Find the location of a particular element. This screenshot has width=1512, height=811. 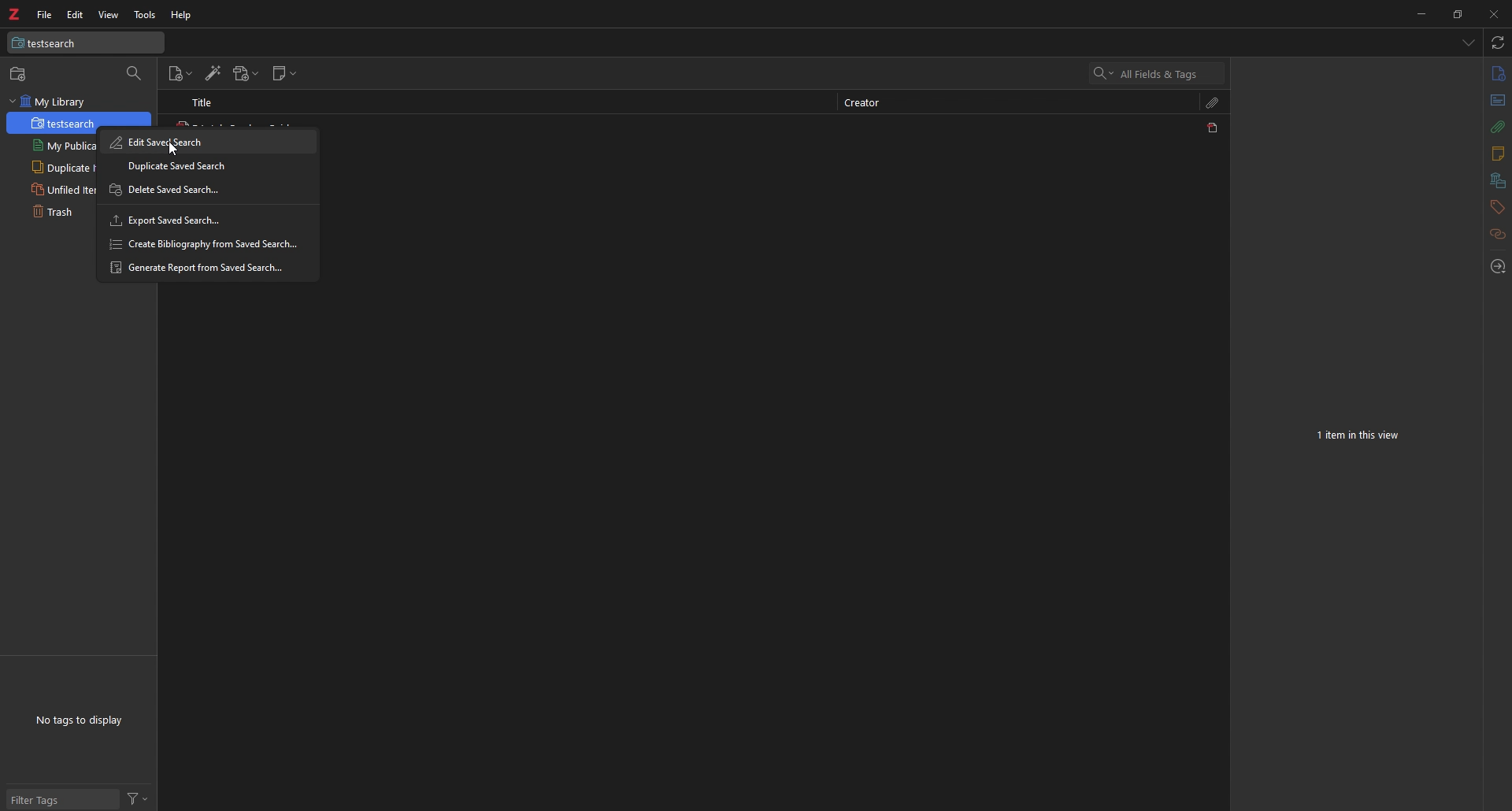

attachment is located at coordinates (1214, 102).